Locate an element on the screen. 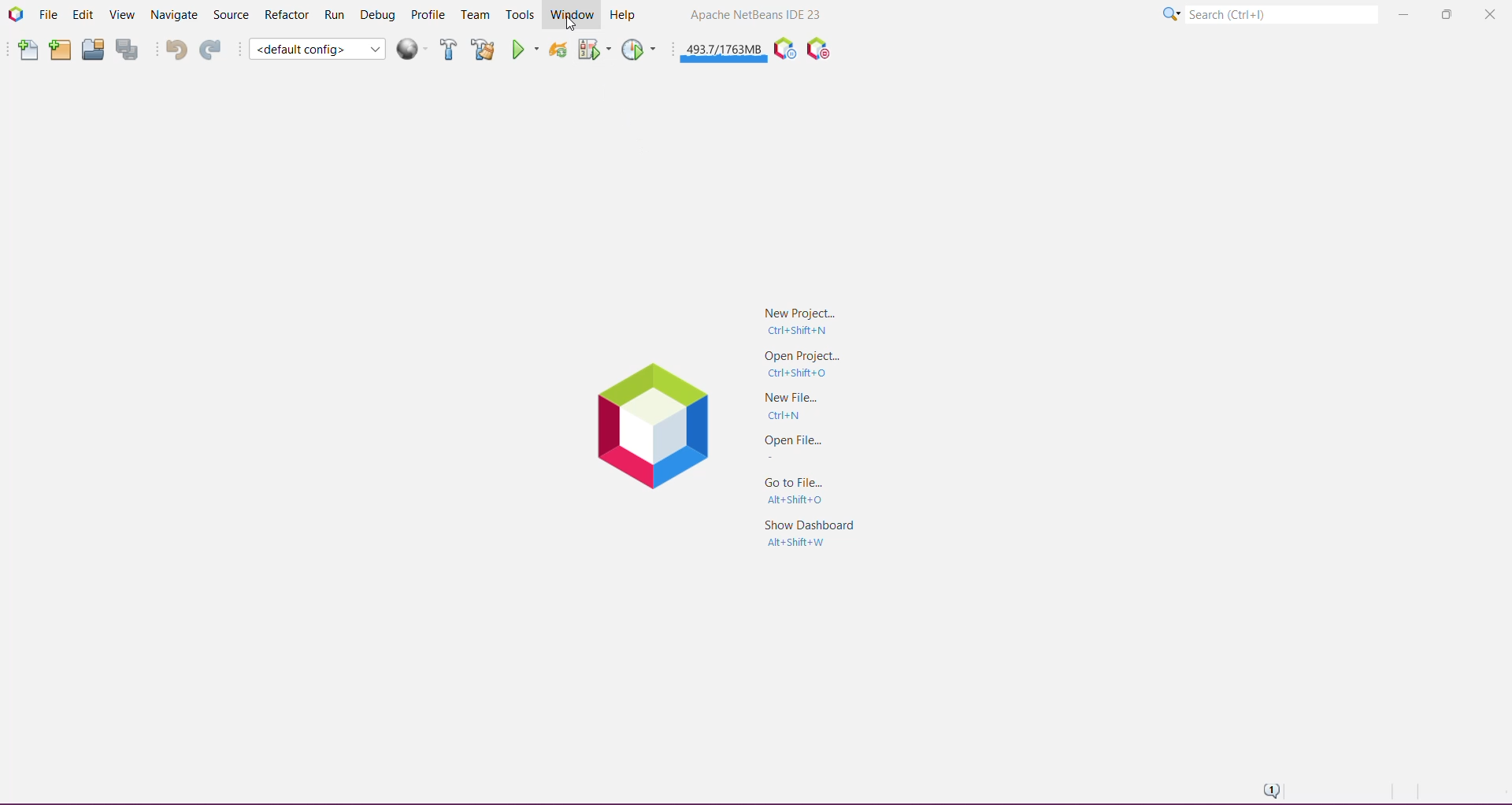 This screenshot has width=1512, height=805. Run Main Project is located at coordinates (525, 49).